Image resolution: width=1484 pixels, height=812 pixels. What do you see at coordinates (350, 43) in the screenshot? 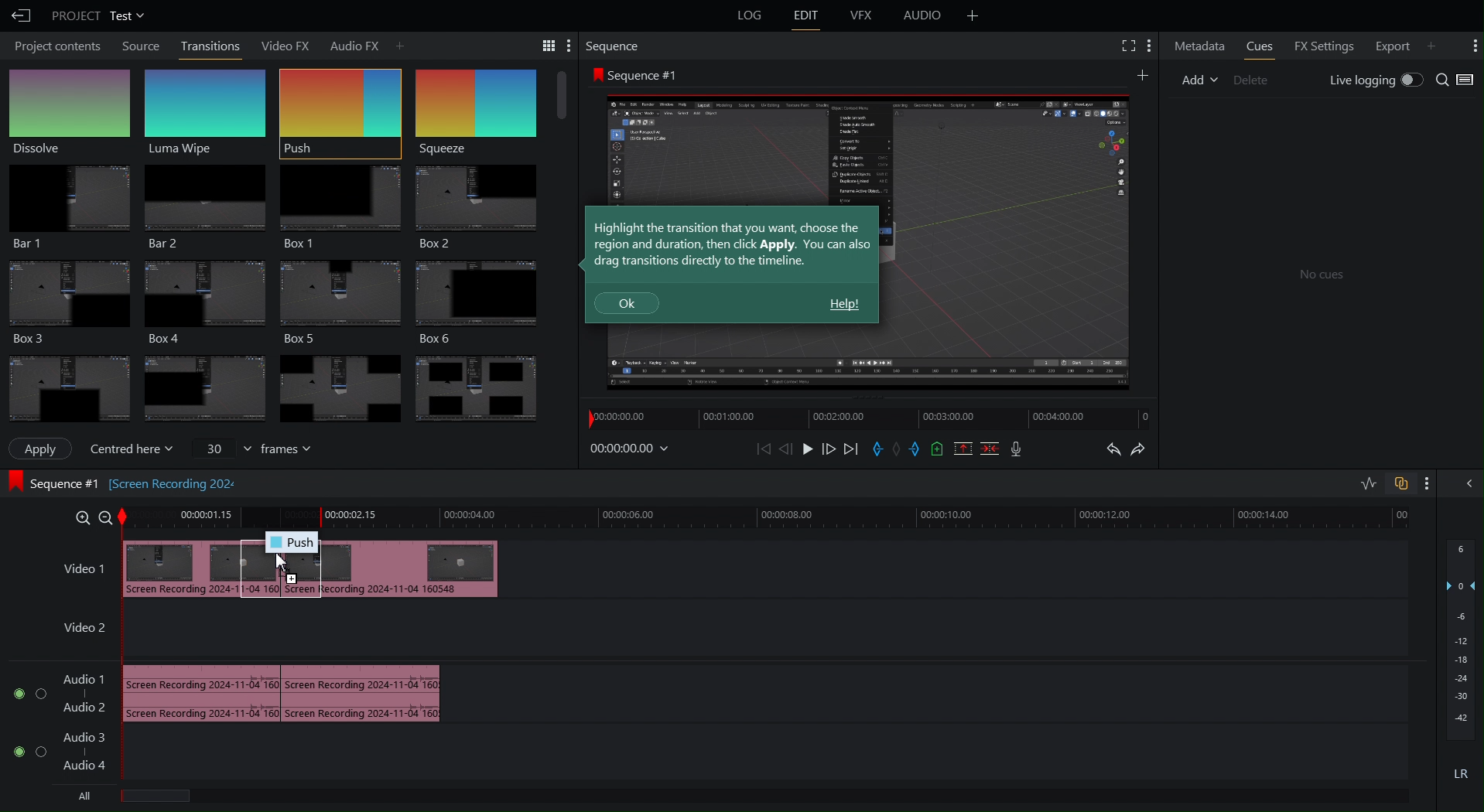
I see `Audio FX` at bounding box center [350, 43].